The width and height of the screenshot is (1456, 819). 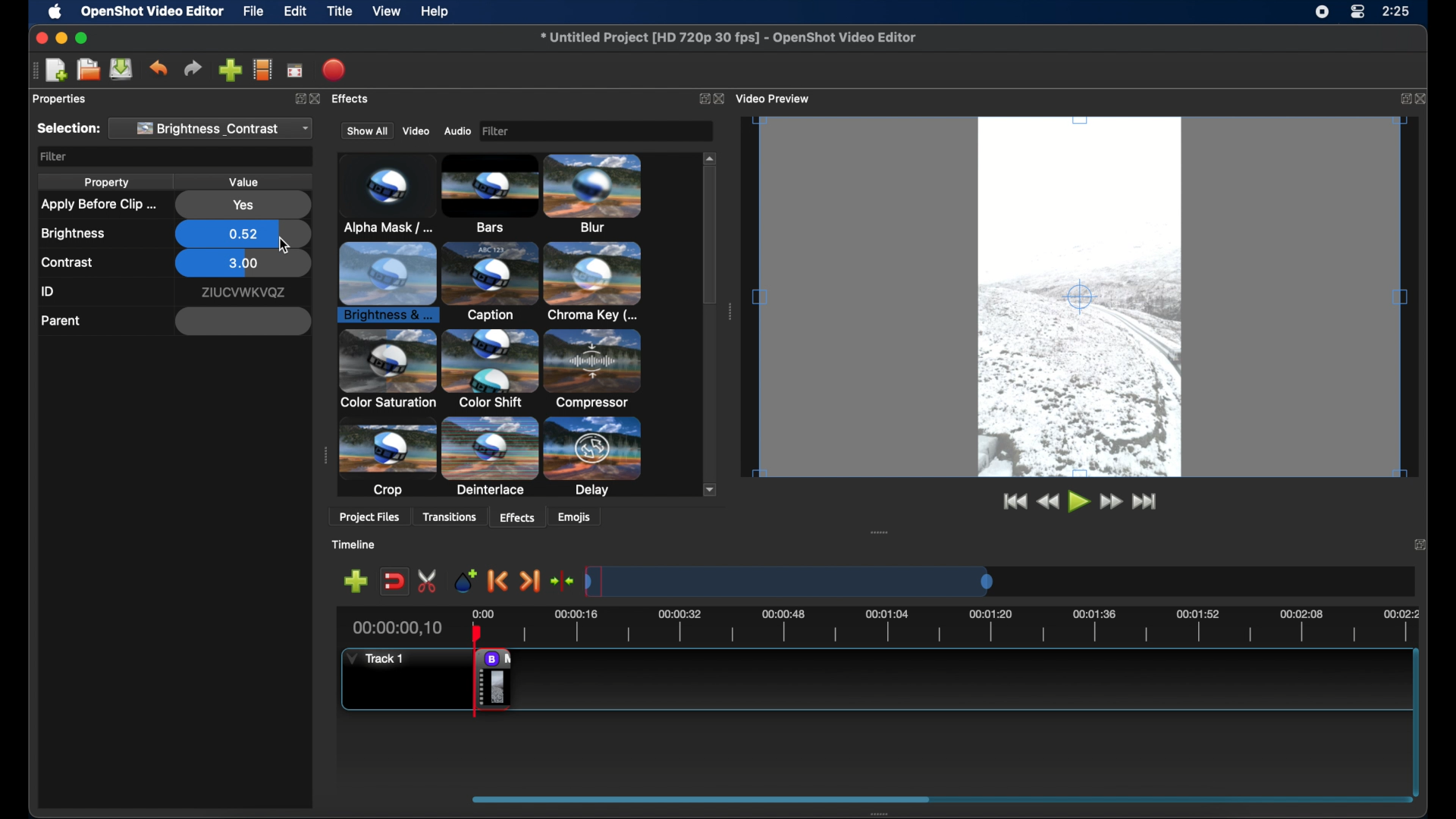 I want to click on color saturation, so click(x=494, y=282).